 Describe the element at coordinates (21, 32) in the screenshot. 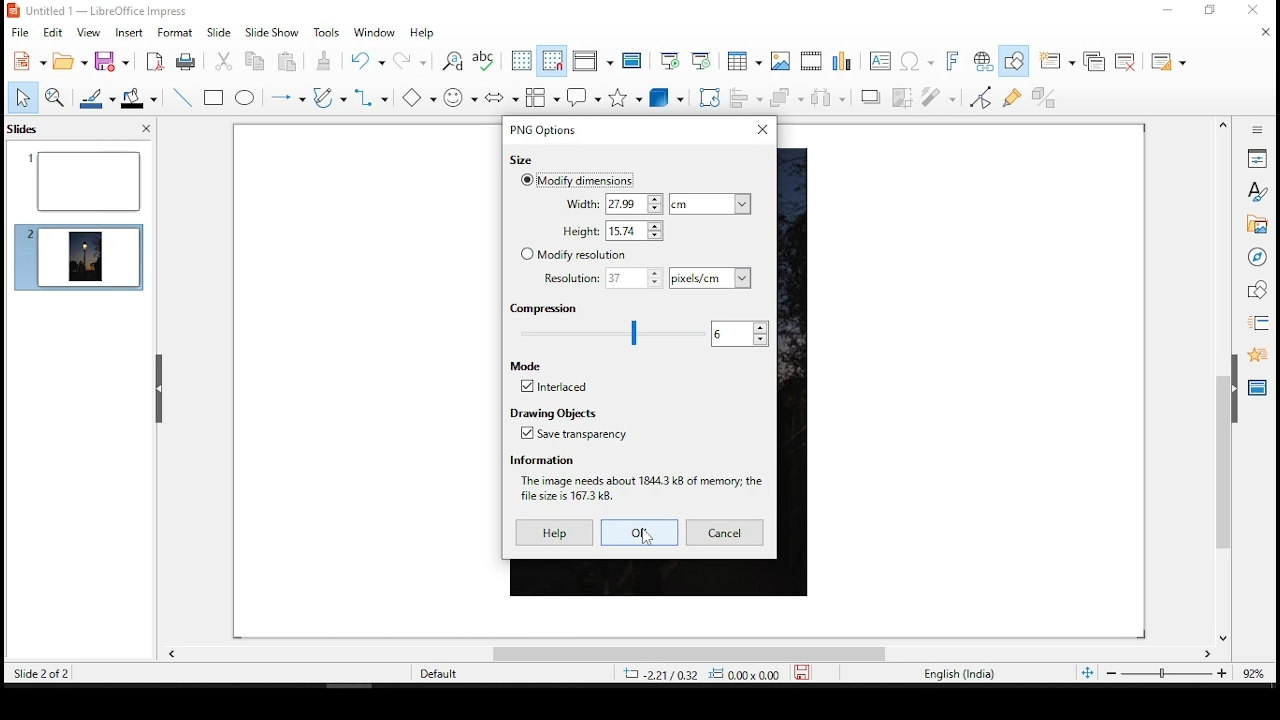

I see `file` at that location.